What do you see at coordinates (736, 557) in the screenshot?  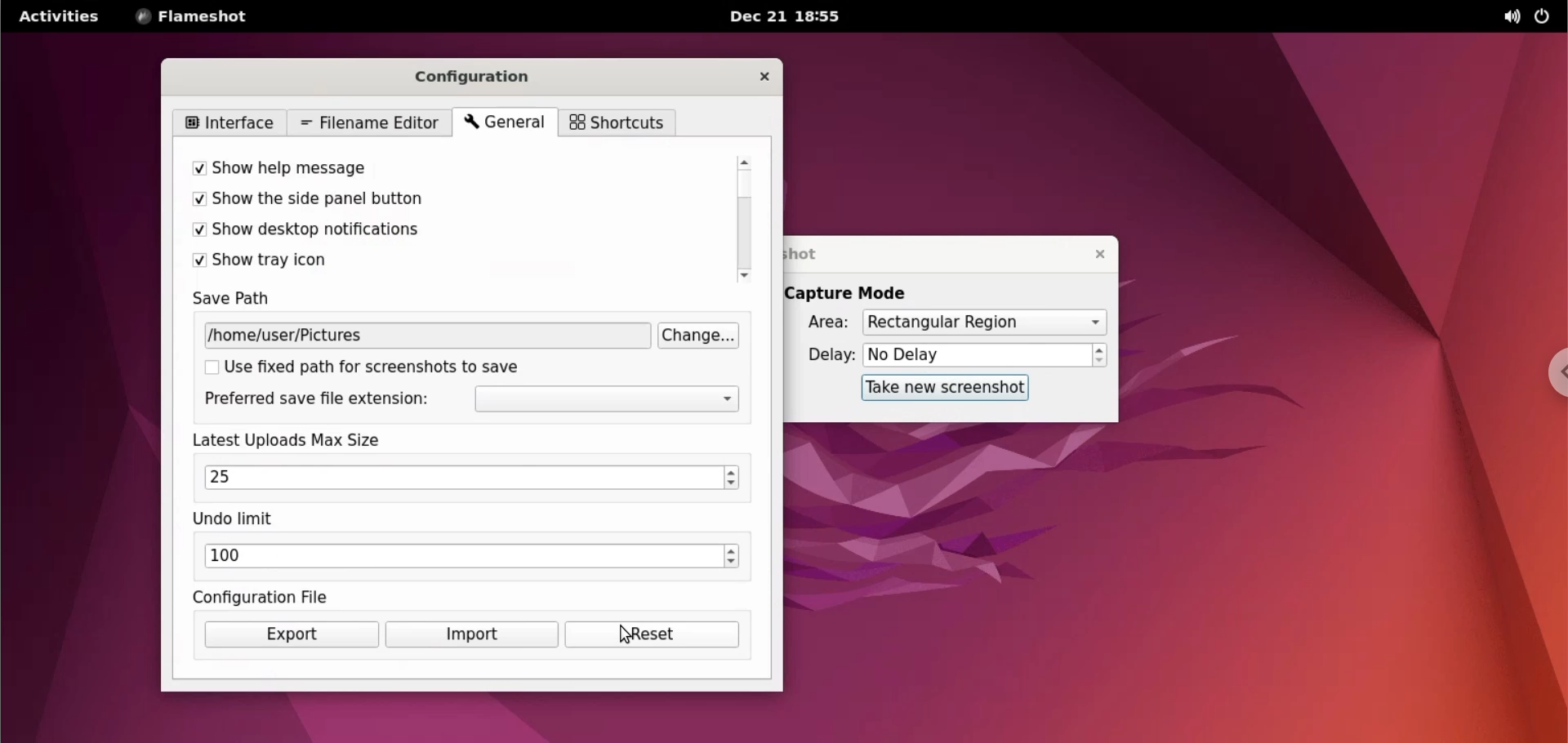 I see `increment or decrement undo limit` at bounding box center [736, 557].